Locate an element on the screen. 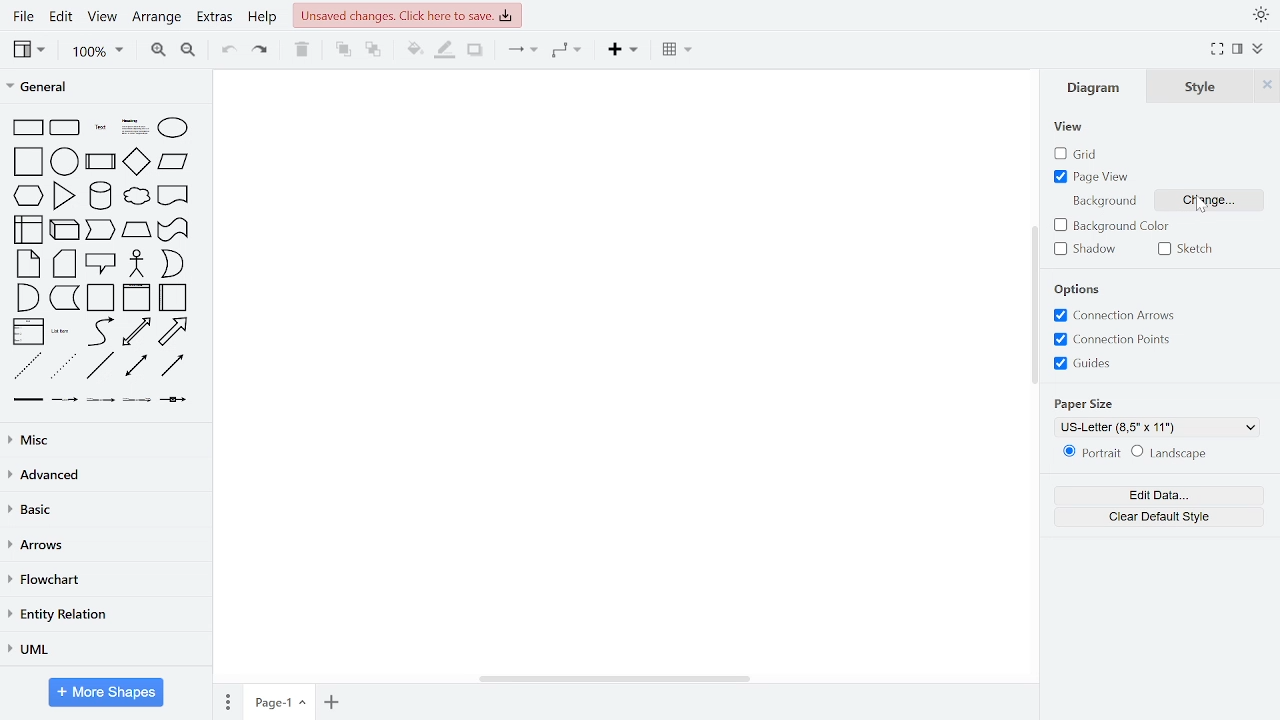 This screenshot has width=1280, height=720. table is located at coordinates (676, 50).